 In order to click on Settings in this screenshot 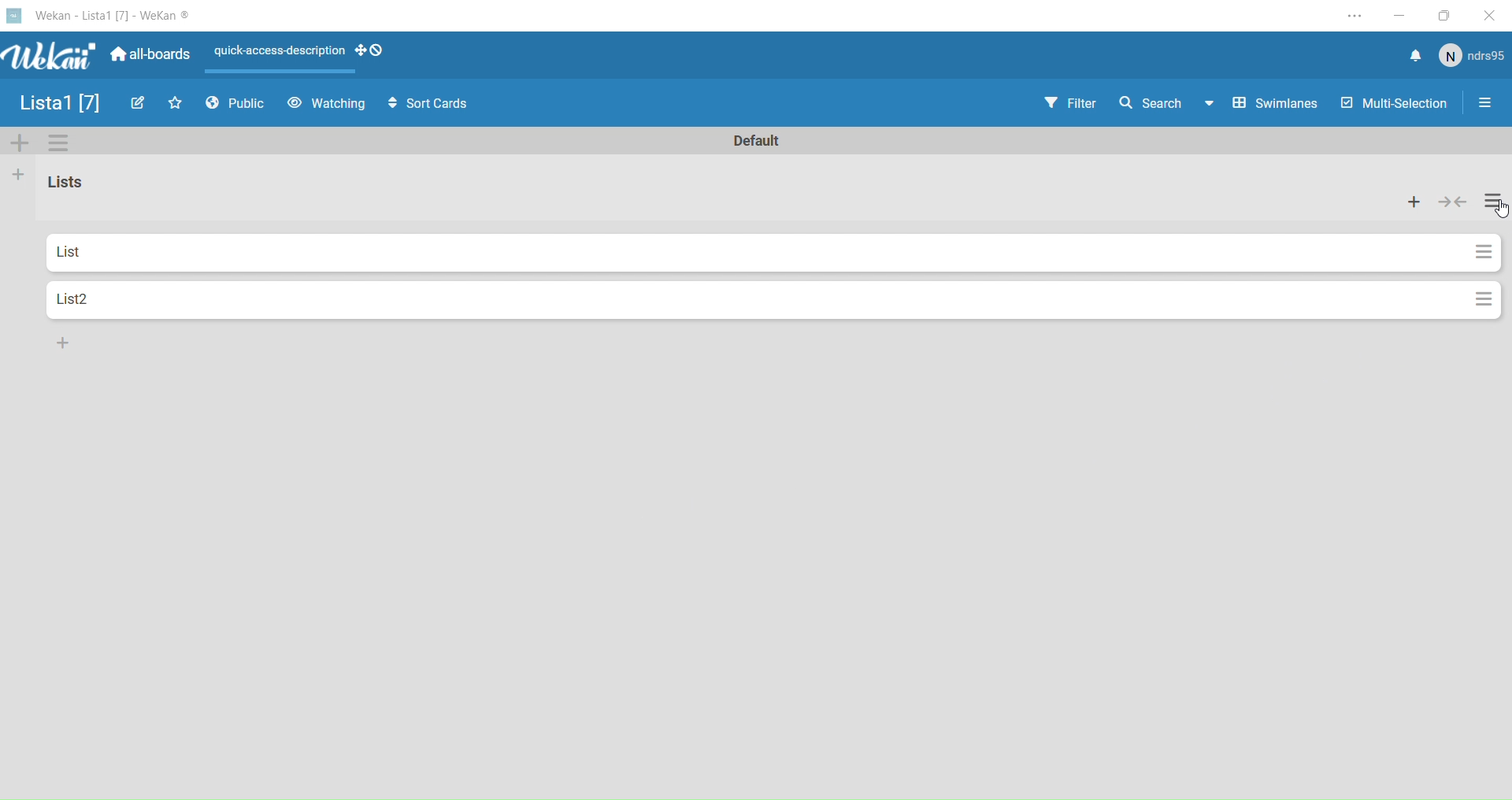, I will do `click(1488, 102)`.